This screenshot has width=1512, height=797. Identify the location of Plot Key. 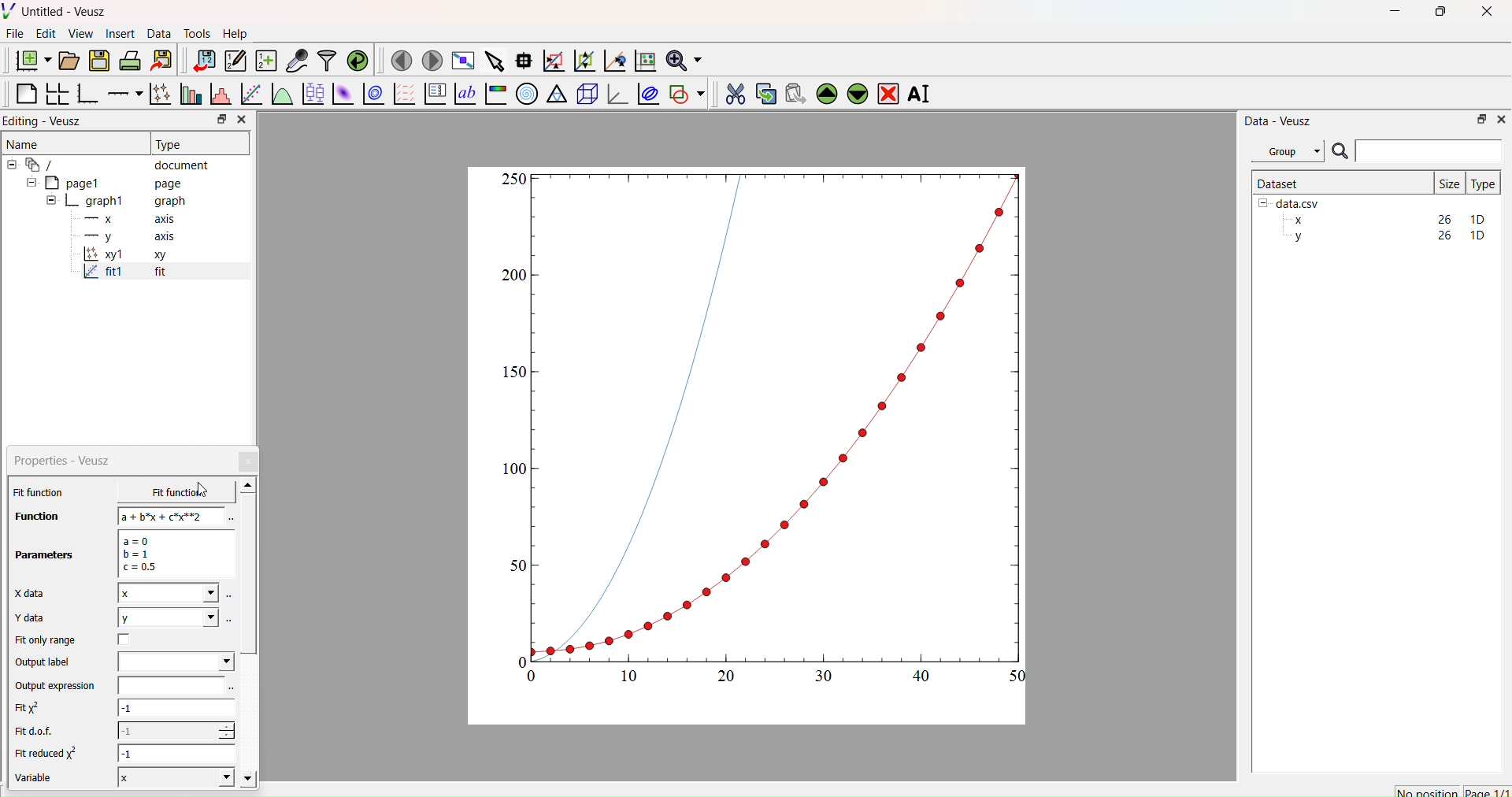
(435, 94).